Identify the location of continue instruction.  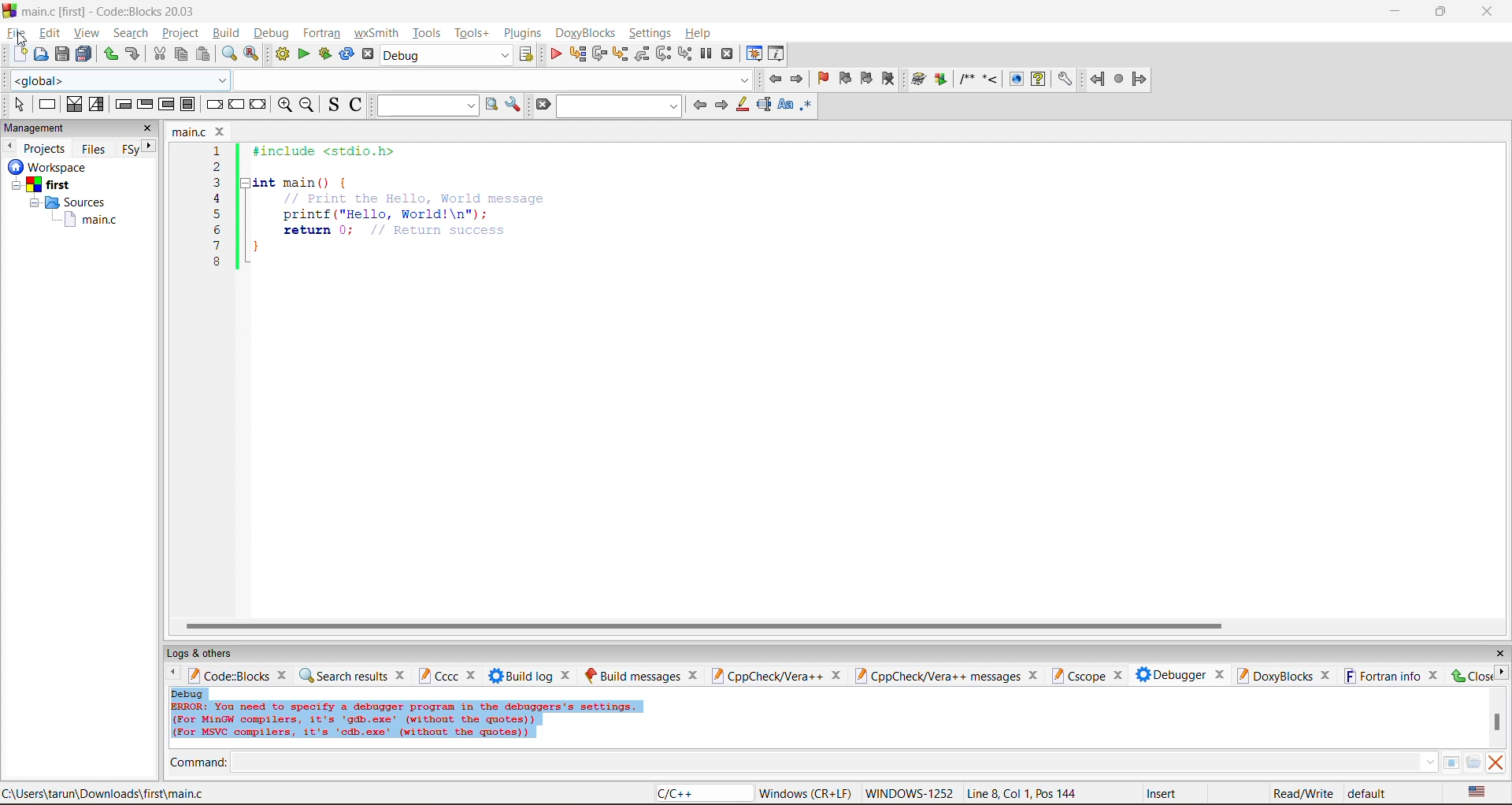
(235, 106).